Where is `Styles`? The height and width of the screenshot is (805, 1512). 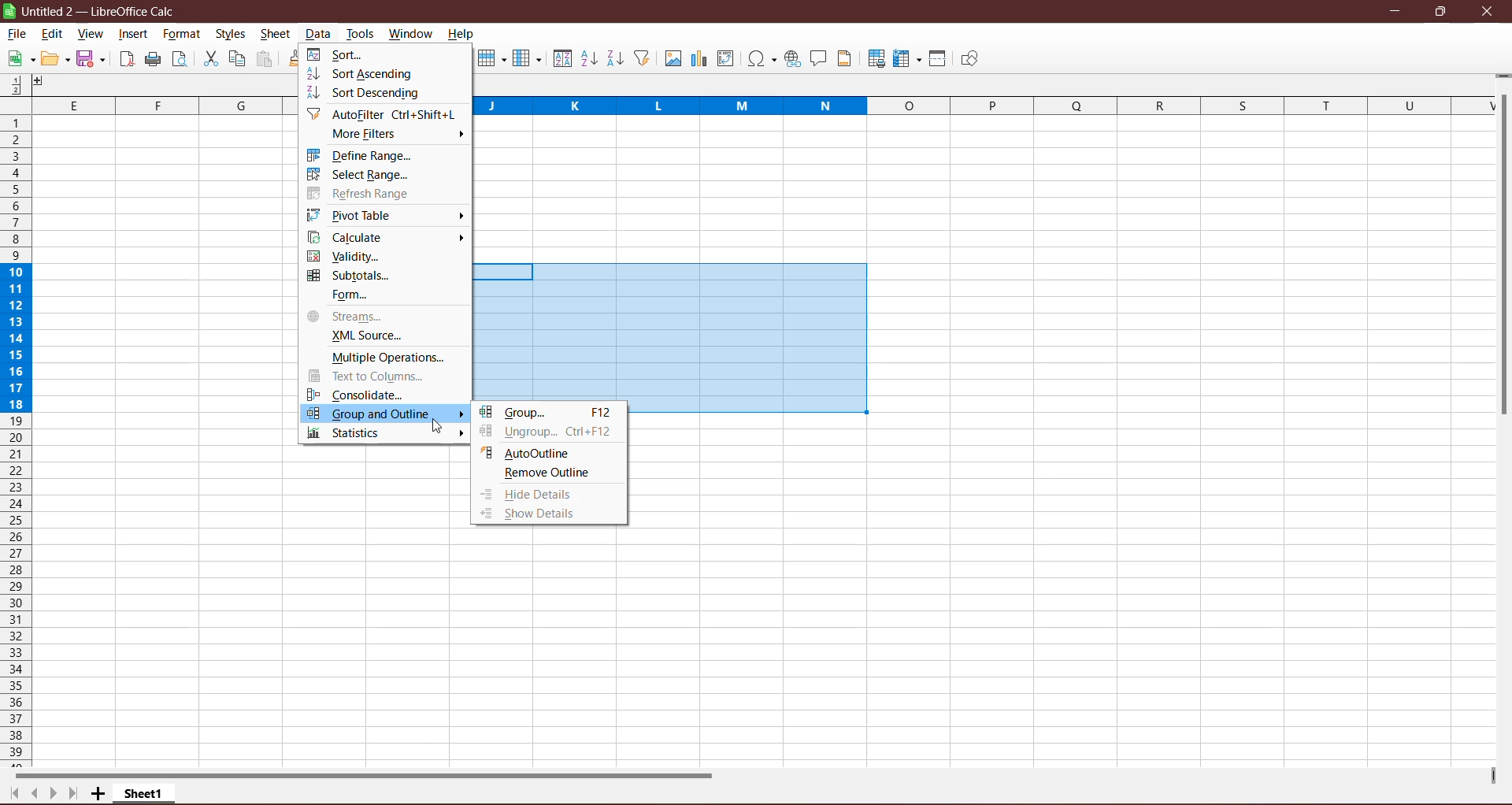
Styles is located at coordinates (232, 35).